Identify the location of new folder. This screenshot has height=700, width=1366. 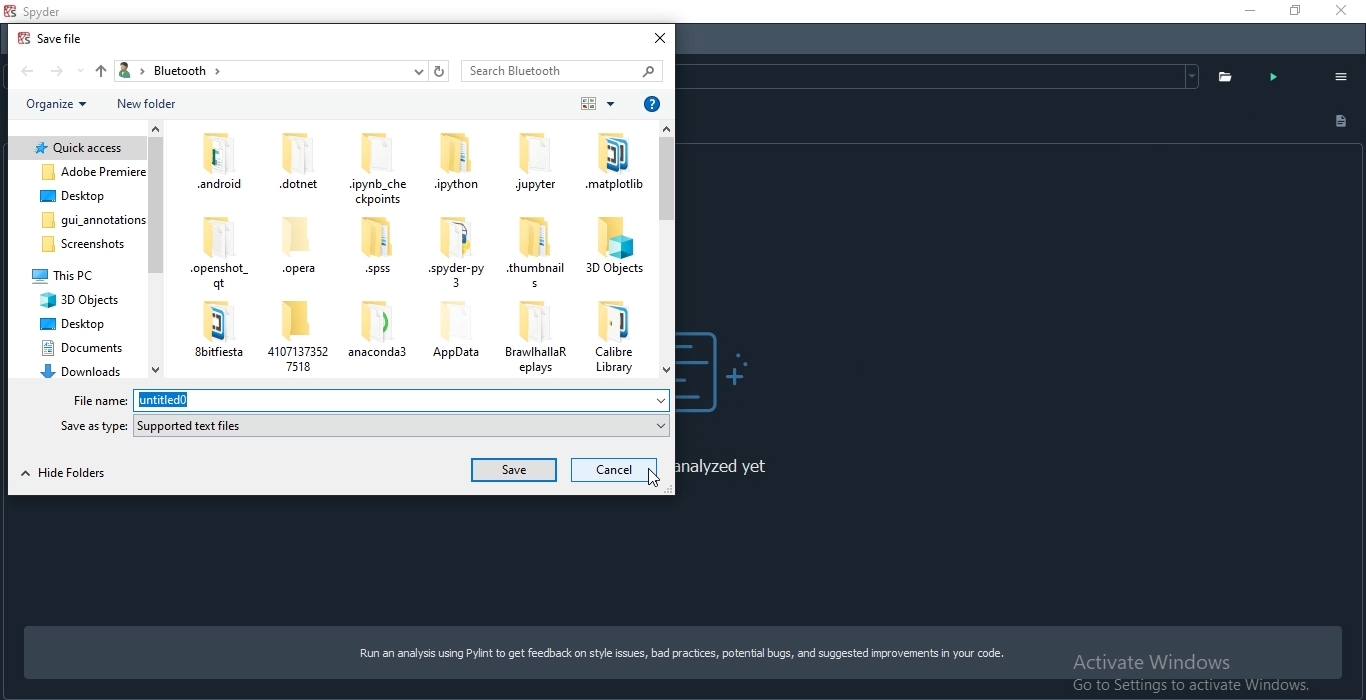
(147, 105).